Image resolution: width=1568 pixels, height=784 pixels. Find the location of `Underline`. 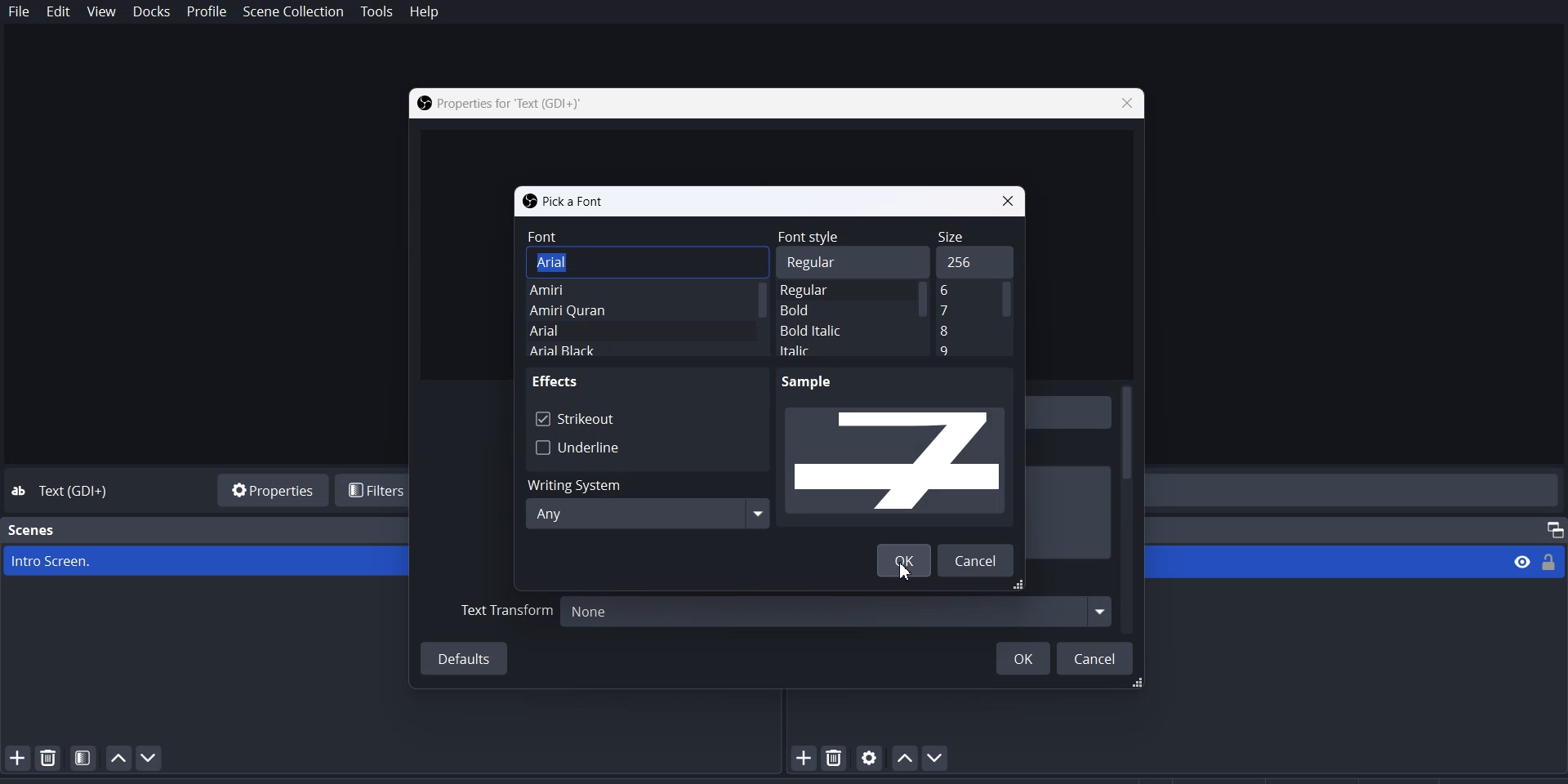

Underline is located at coordinates (577, 447).